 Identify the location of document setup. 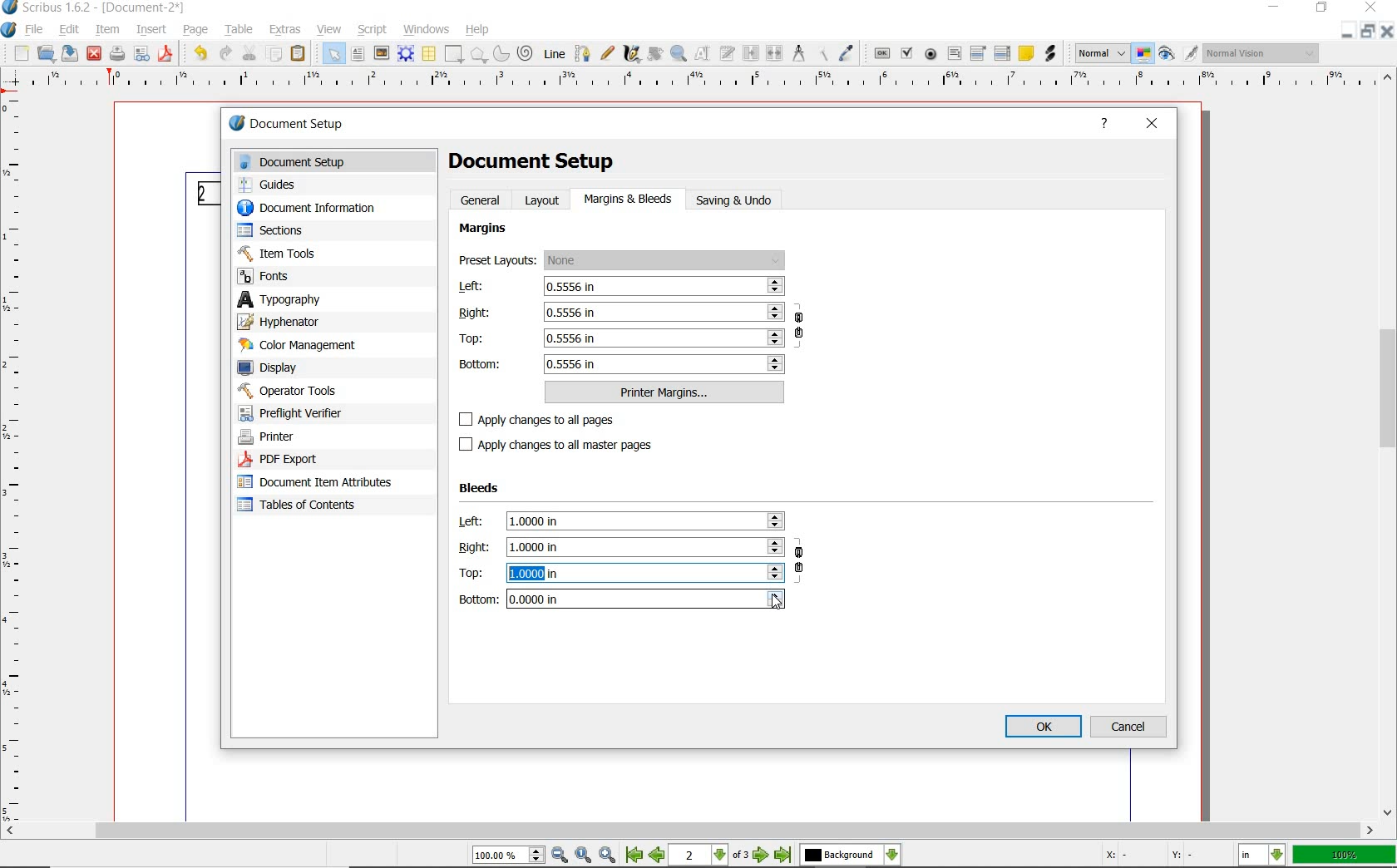
(311, 125).